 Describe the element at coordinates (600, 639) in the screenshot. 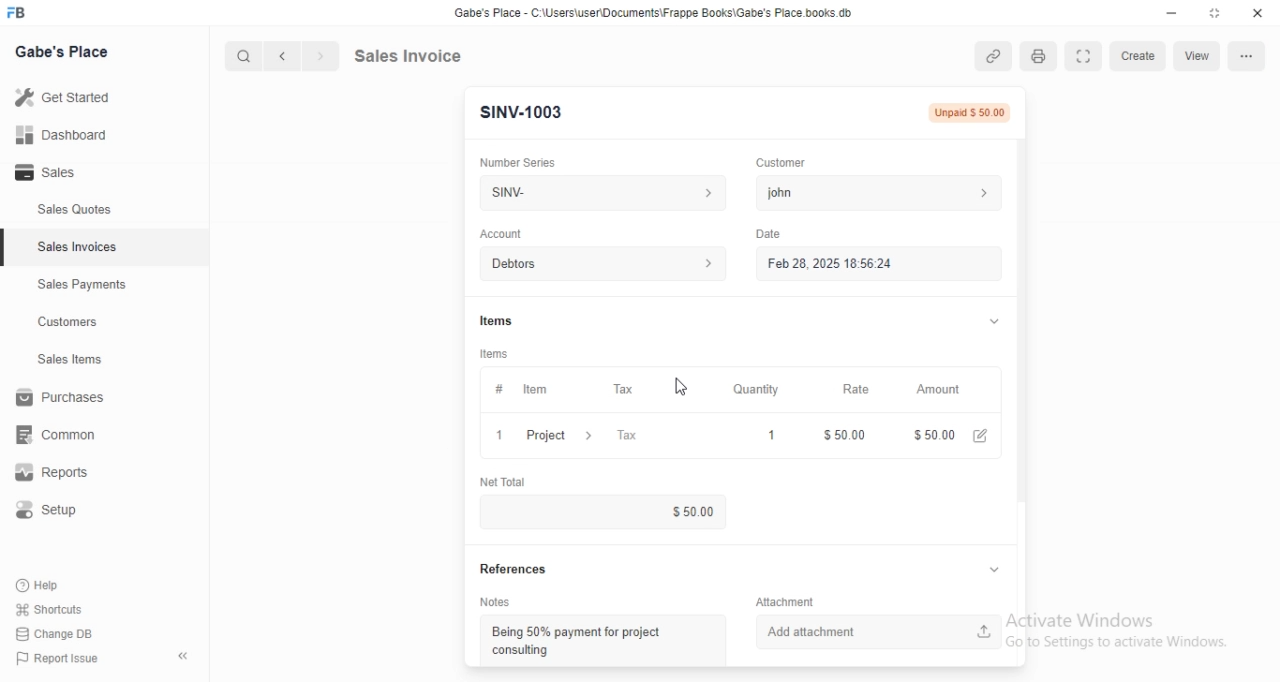

I see `Being 50% payment for project consulting` at that location.